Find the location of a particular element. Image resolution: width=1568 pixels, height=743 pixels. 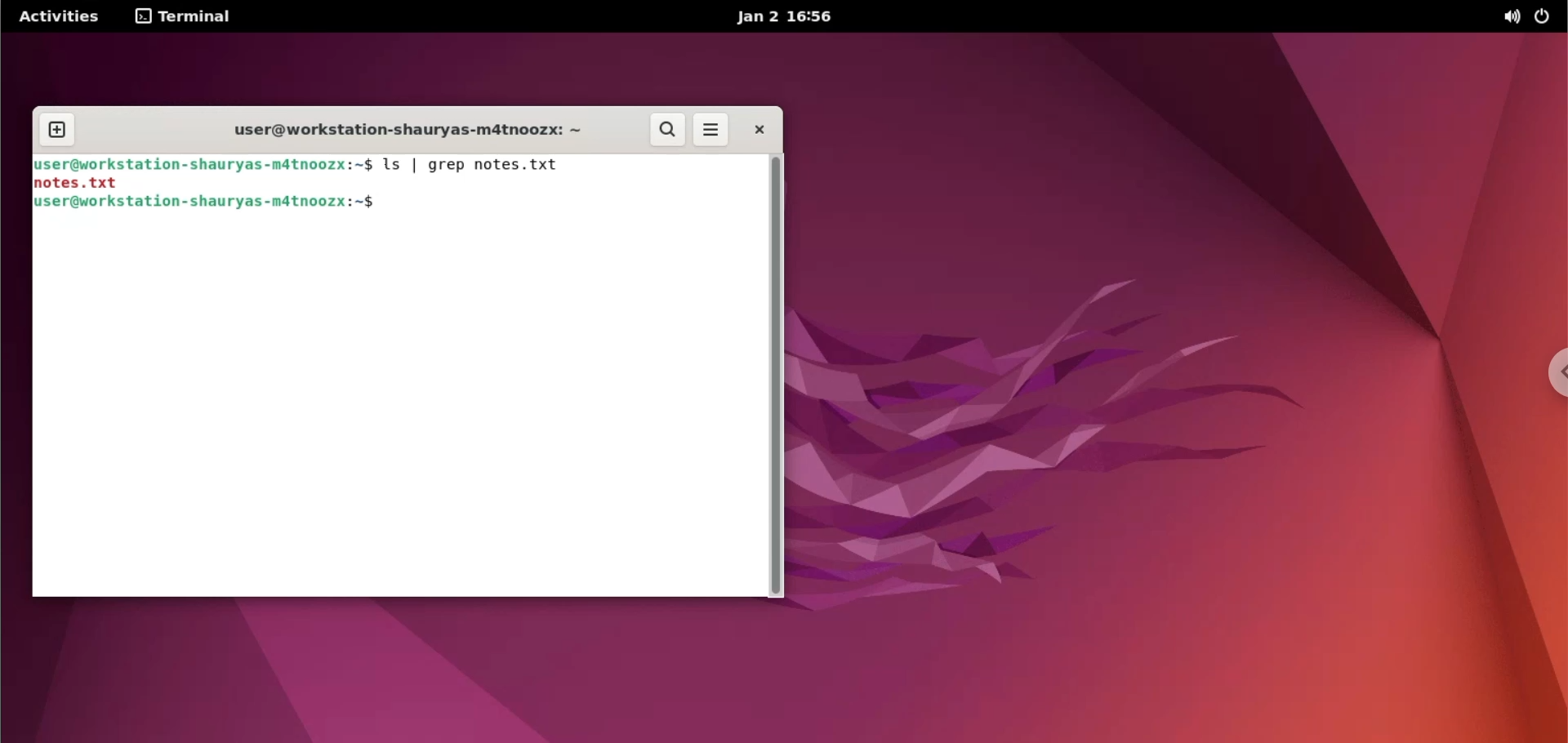

close is located at coordinates (753, 131).